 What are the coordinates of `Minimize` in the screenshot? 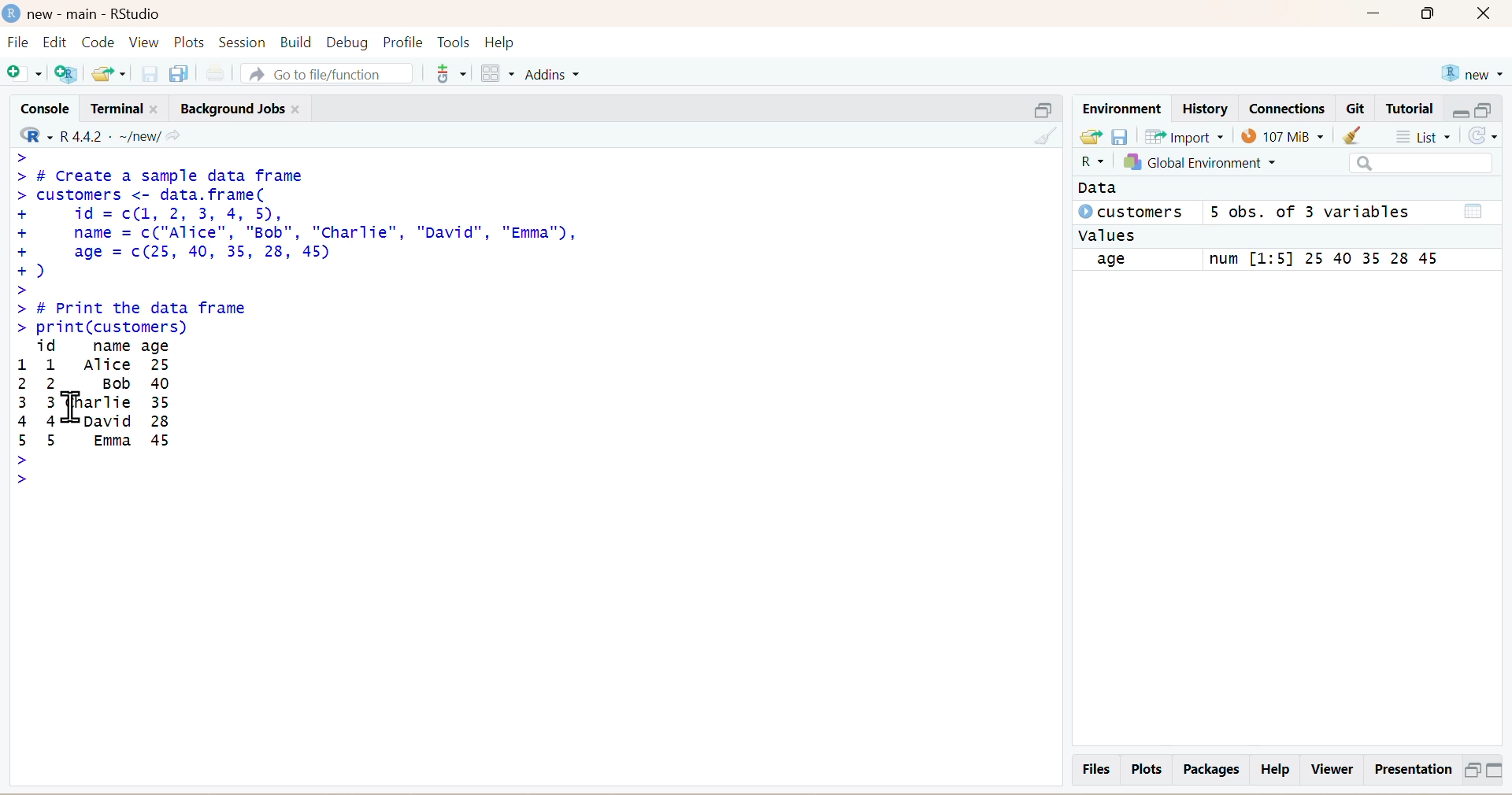 It's located at (1376, 17).